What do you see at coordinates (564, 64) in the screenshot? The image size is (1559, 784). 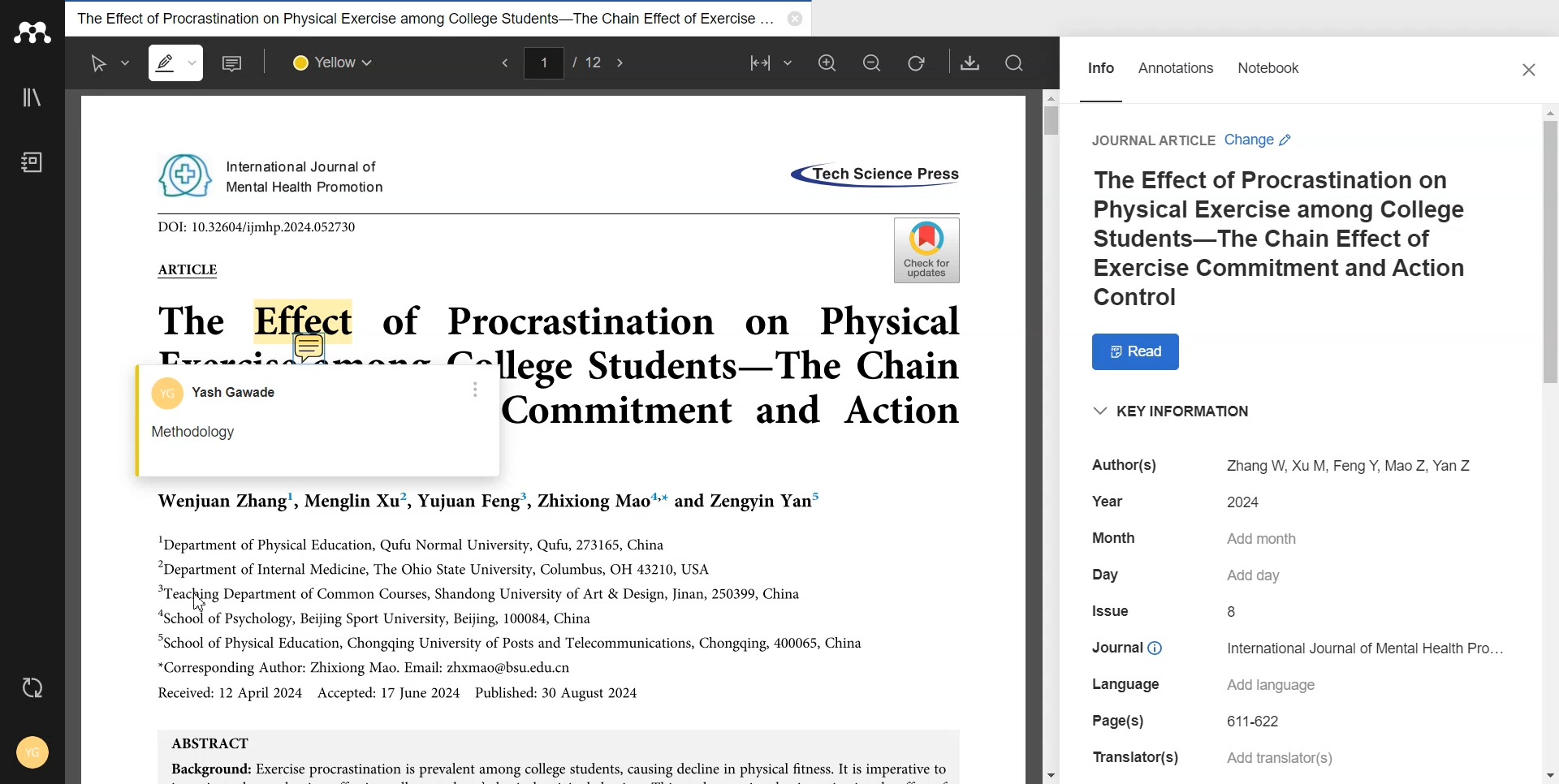 I see `1/12` at bounding box center [564, 64].